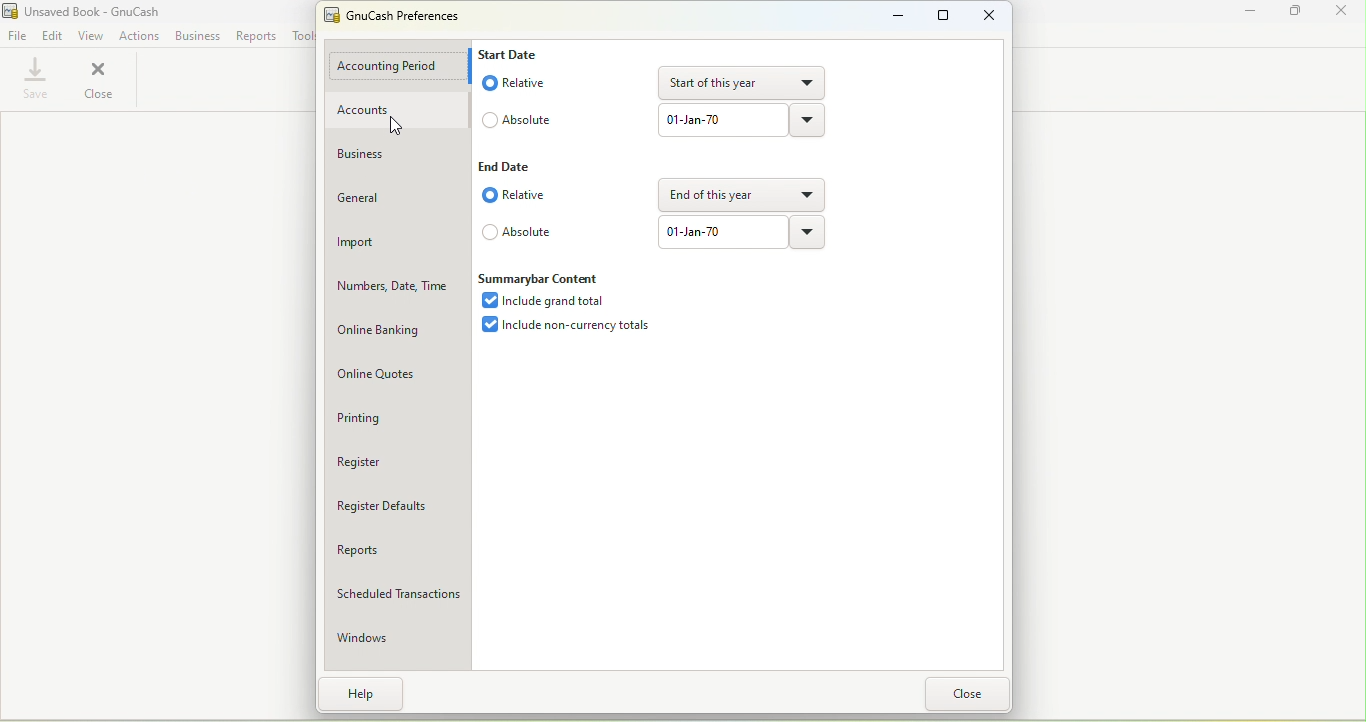  I want to click on Help, so click(366, 692).